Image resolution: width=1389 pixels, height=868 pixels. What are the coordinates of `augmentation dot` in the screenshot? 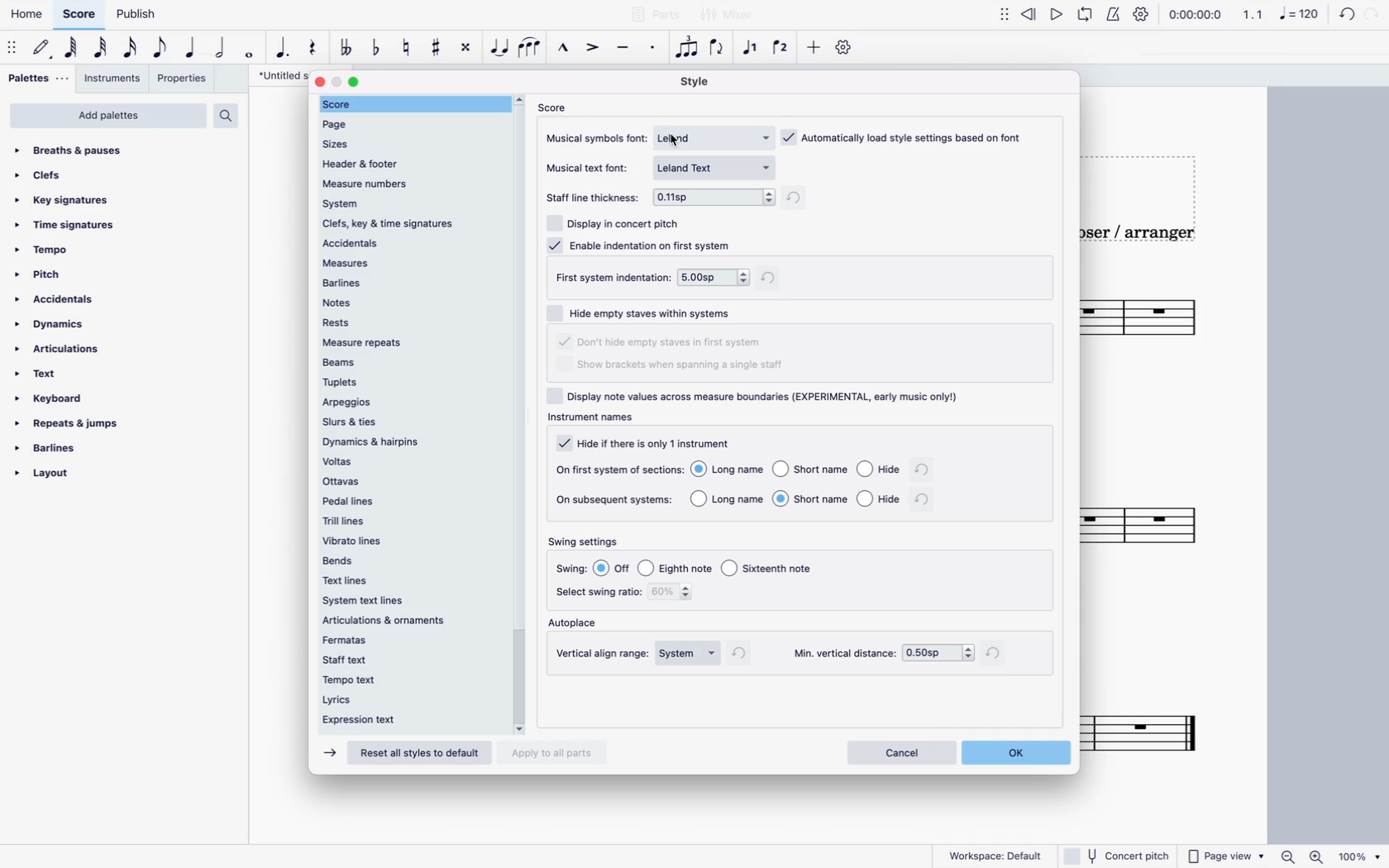 It's located at (283, 51).